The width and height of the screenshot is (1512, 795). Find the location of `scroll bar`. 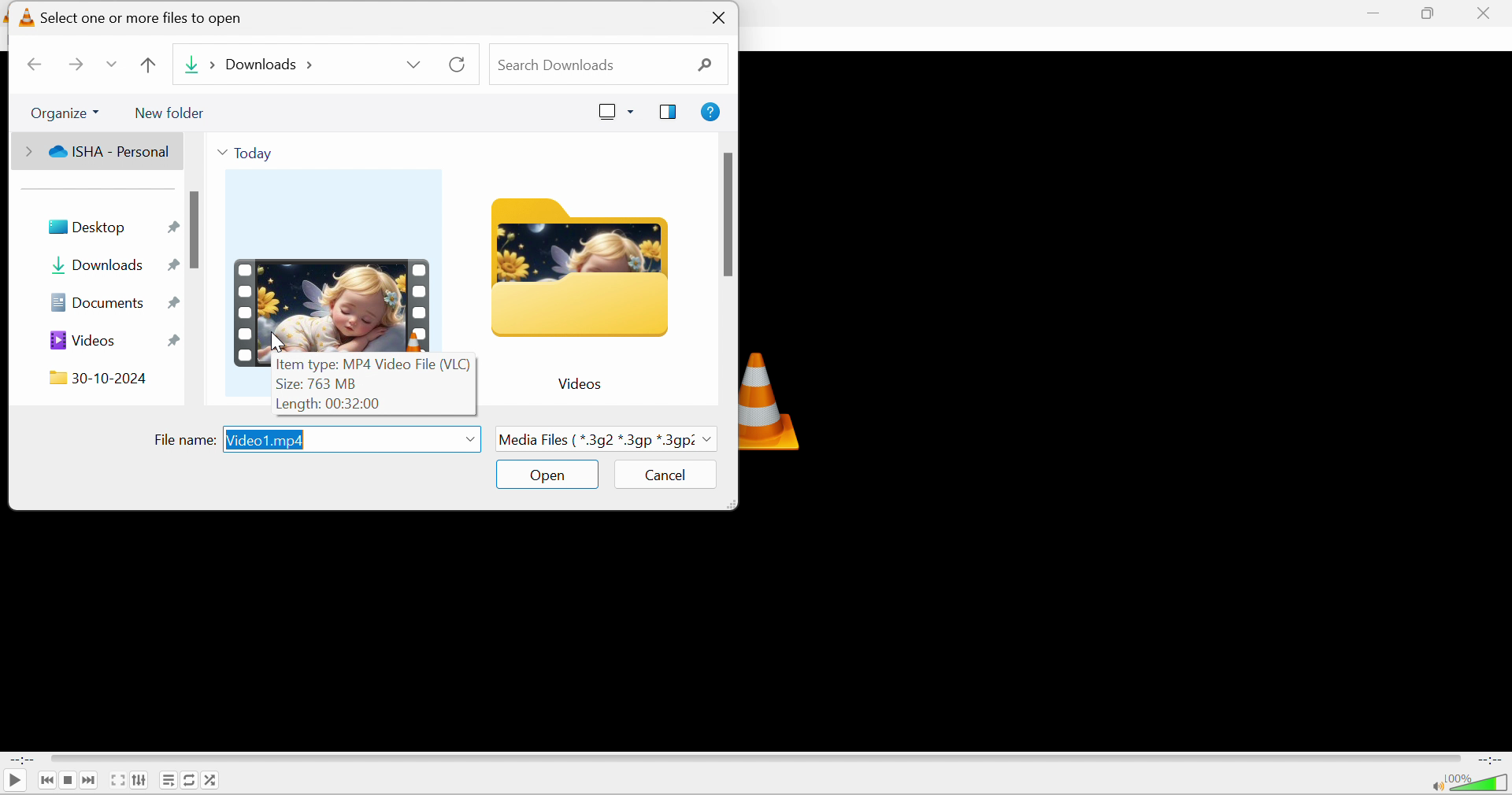

scroll bar is located at coordinates (728, 213).